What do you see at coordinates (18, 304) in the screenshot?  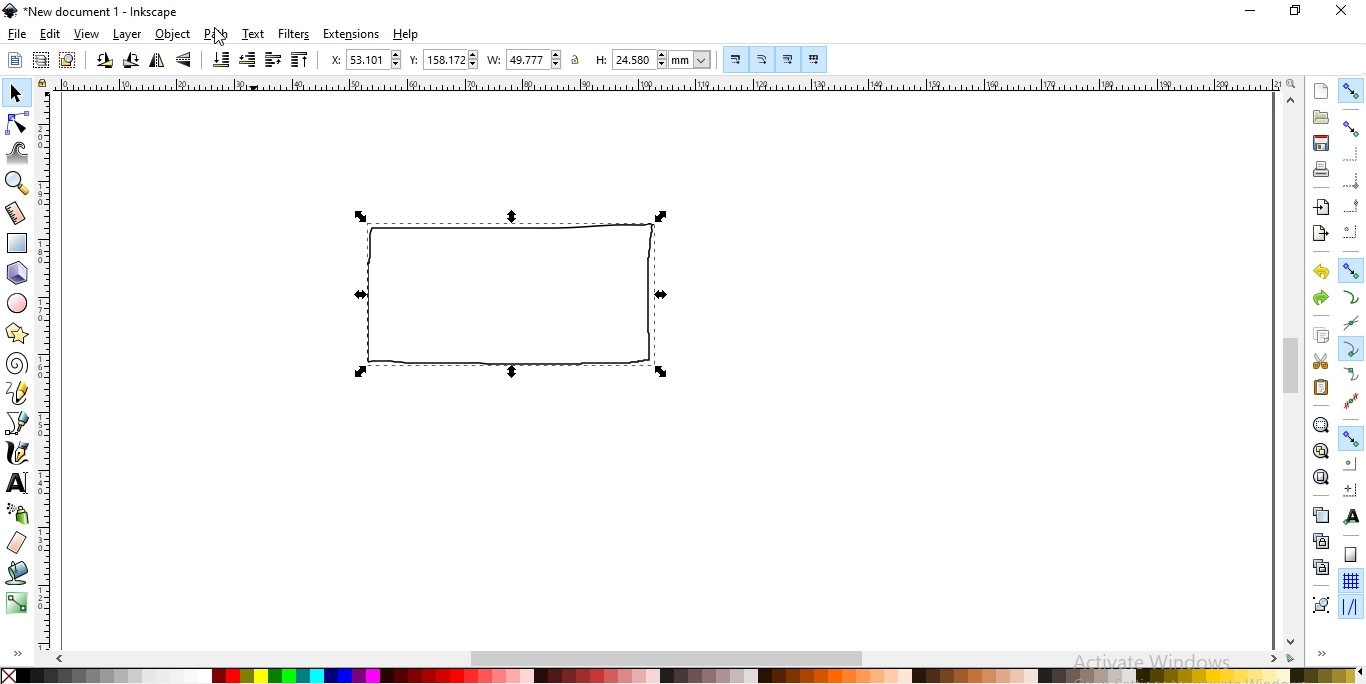 I see `create circles, ellipses andarcs` at bounding box center [18, 304].